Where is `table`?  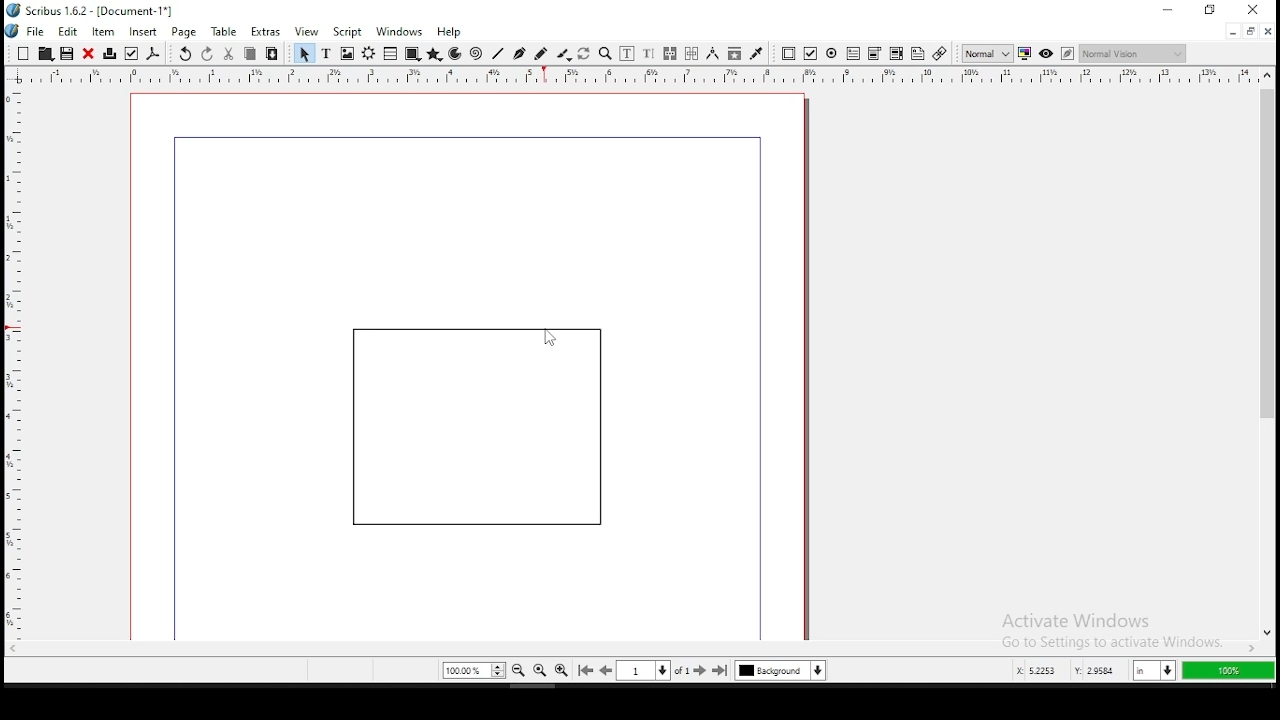 table is located at coordinates (390, 53).